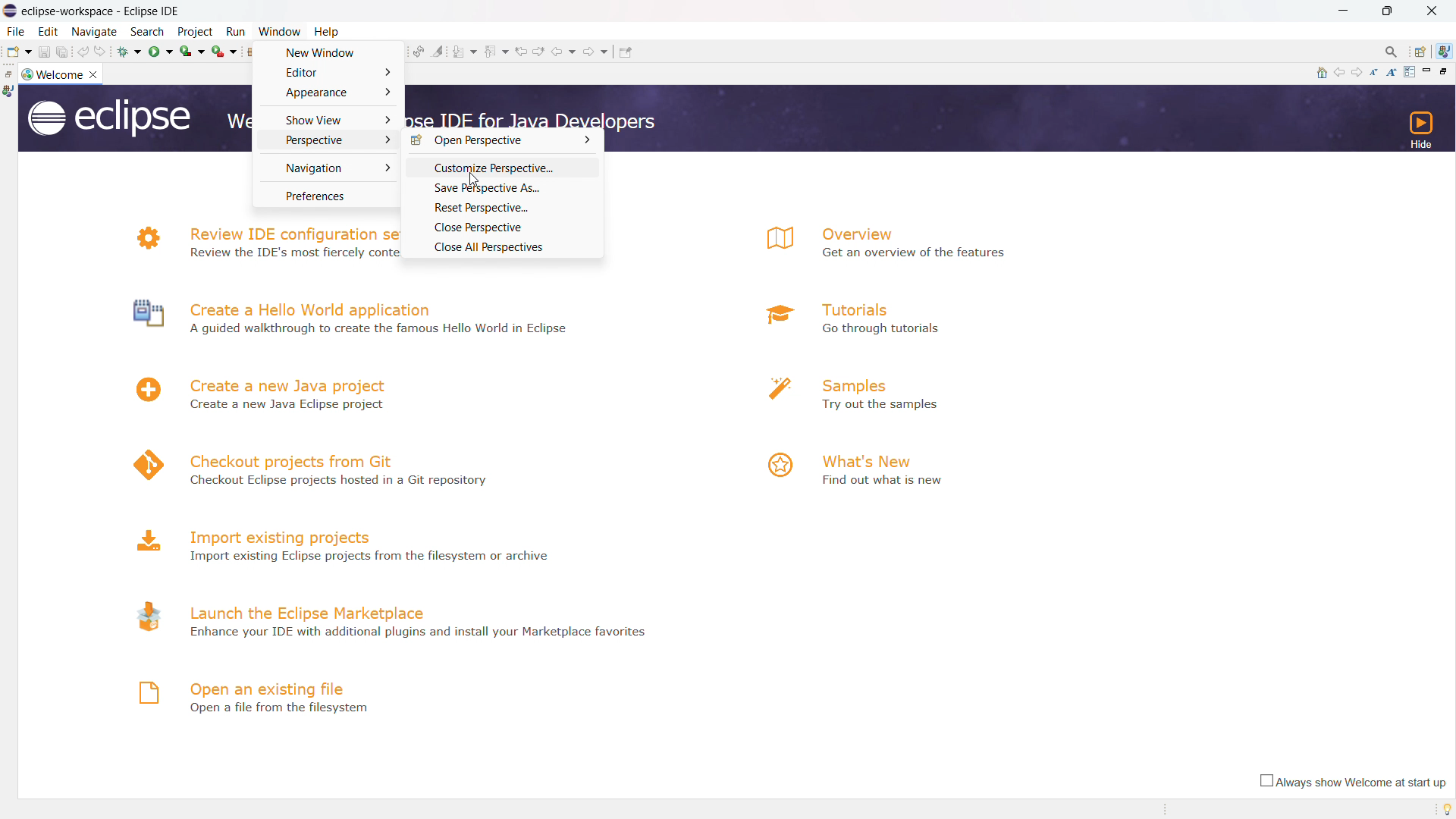 The image size is (1456, 819). What do you see at coordinates (325, 196) in the screenshot?
I see `preferences` at bounding box center [325, 196].